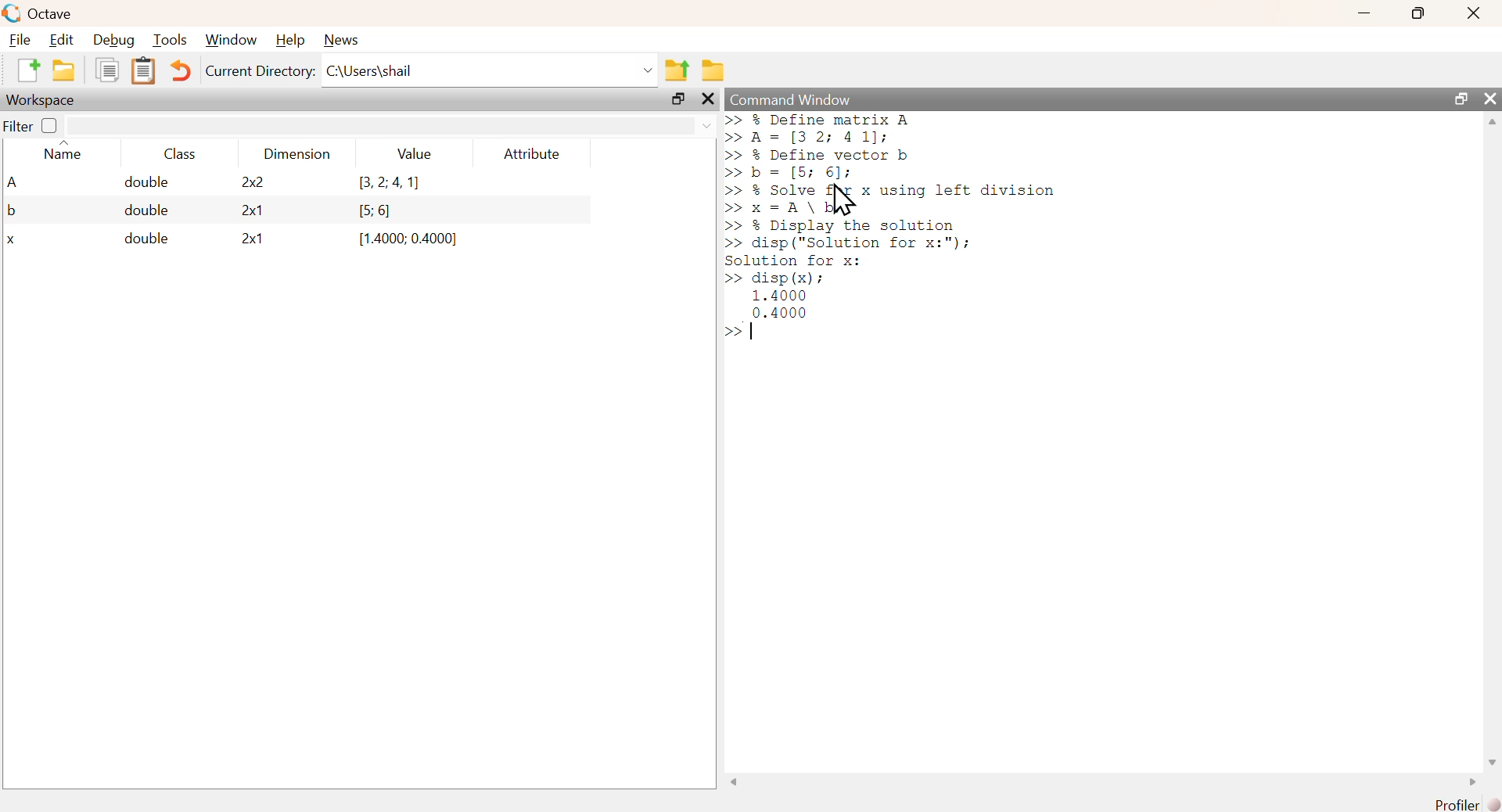 The image size is (1502, 812). What do you see at coordinates (106, 73) in the screenshot?
I see `copy` at bounding box center [106, 73].